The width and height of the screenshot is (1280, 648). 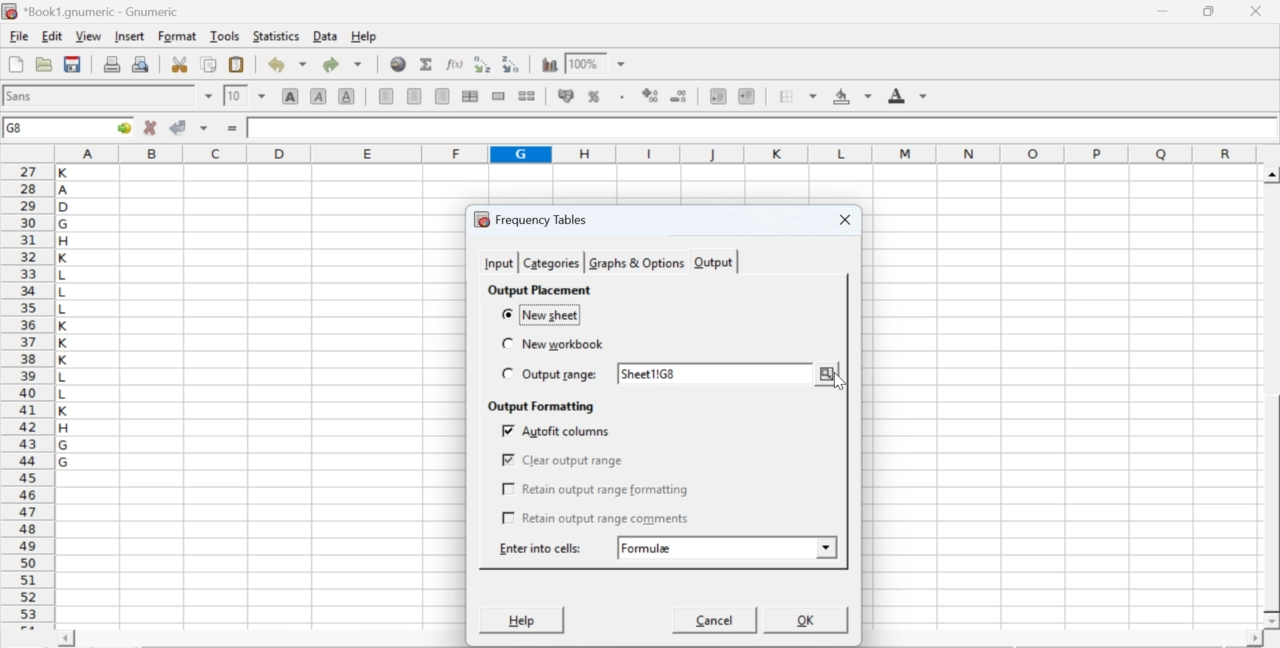 I want to click on close, so click(x=1254, y=11).